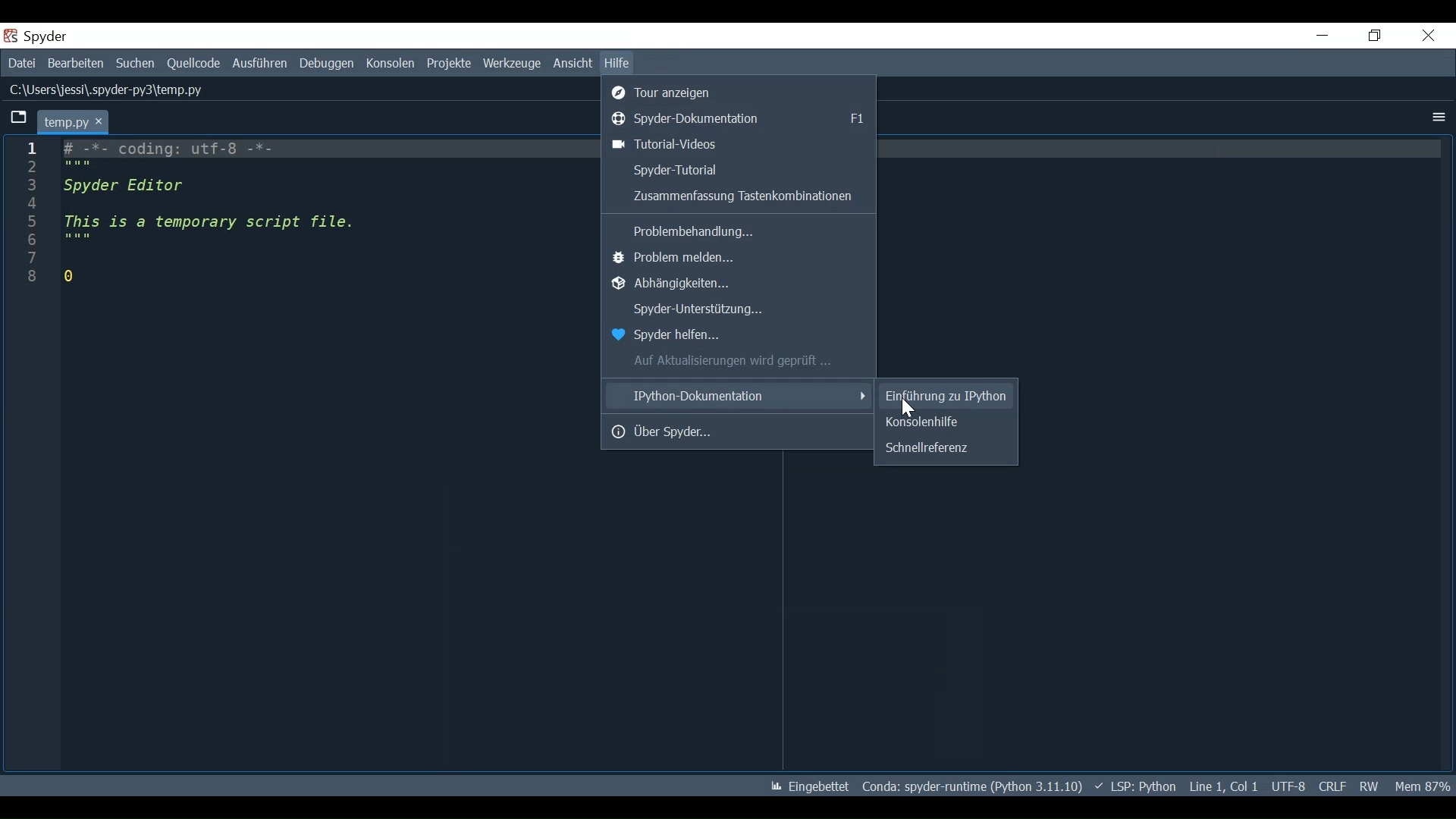 This screenshot has width=1456, height=819. What do you see at coordinates (513, 64) in the screenshot?
I see `Tools` at bounding box center [513, 64].